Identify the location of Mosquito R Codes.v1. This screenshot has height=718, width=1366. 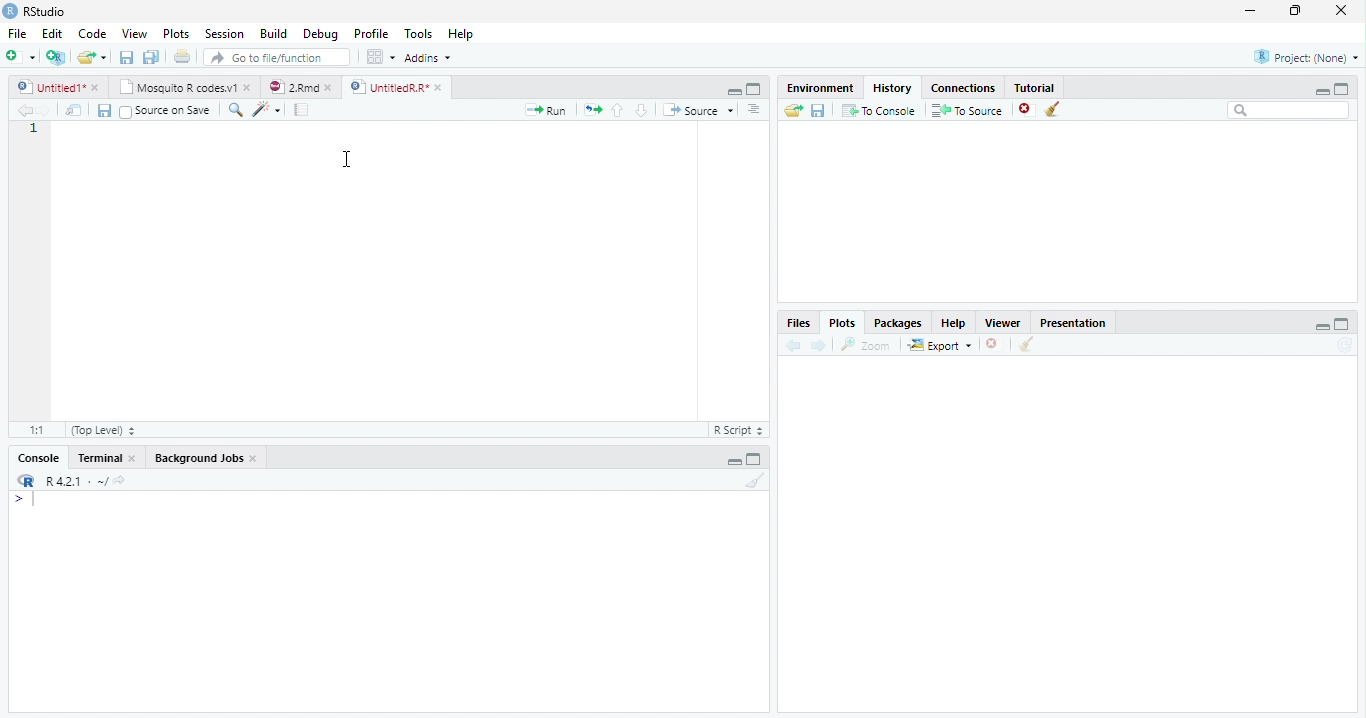
(185, 88).